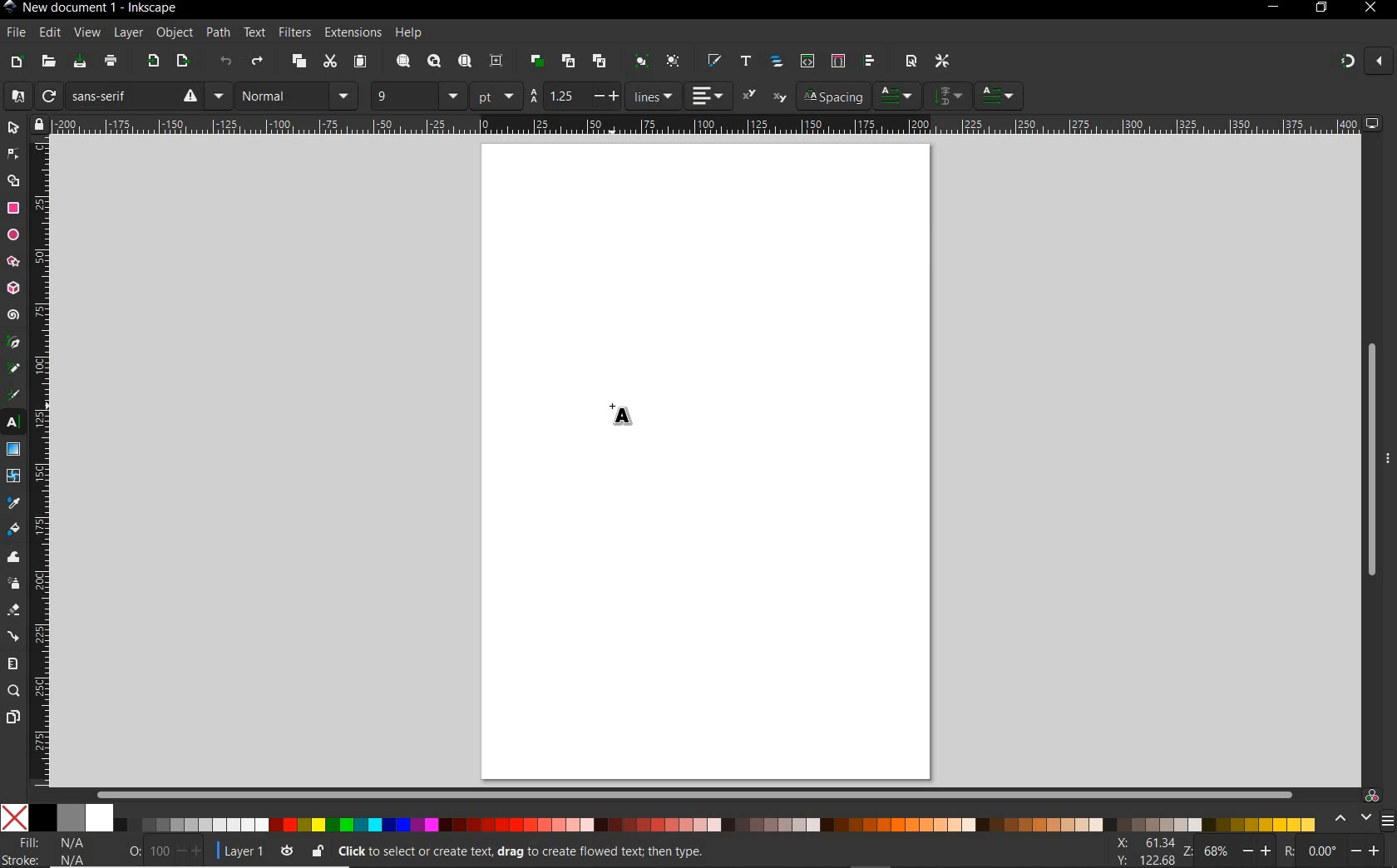 The width and height of the screenshot is (1397, 868). I want to click on view, so click(86, 33).